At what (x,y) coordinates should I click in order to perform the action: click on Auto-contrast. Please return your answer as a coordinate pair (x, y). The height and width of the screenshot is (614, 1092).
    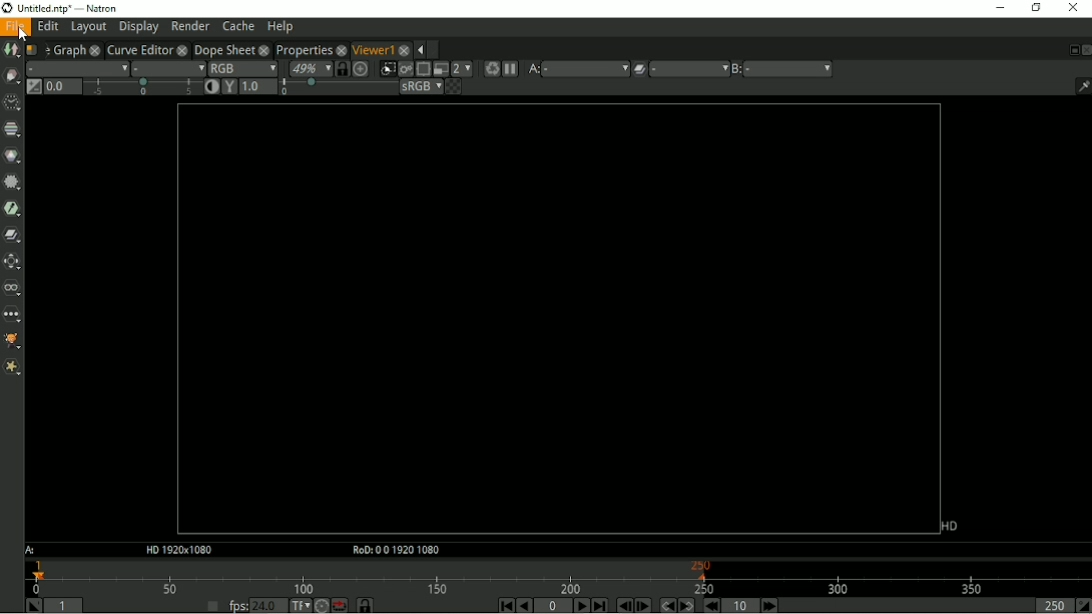
    Looking at the image, I should click on (212, 87).